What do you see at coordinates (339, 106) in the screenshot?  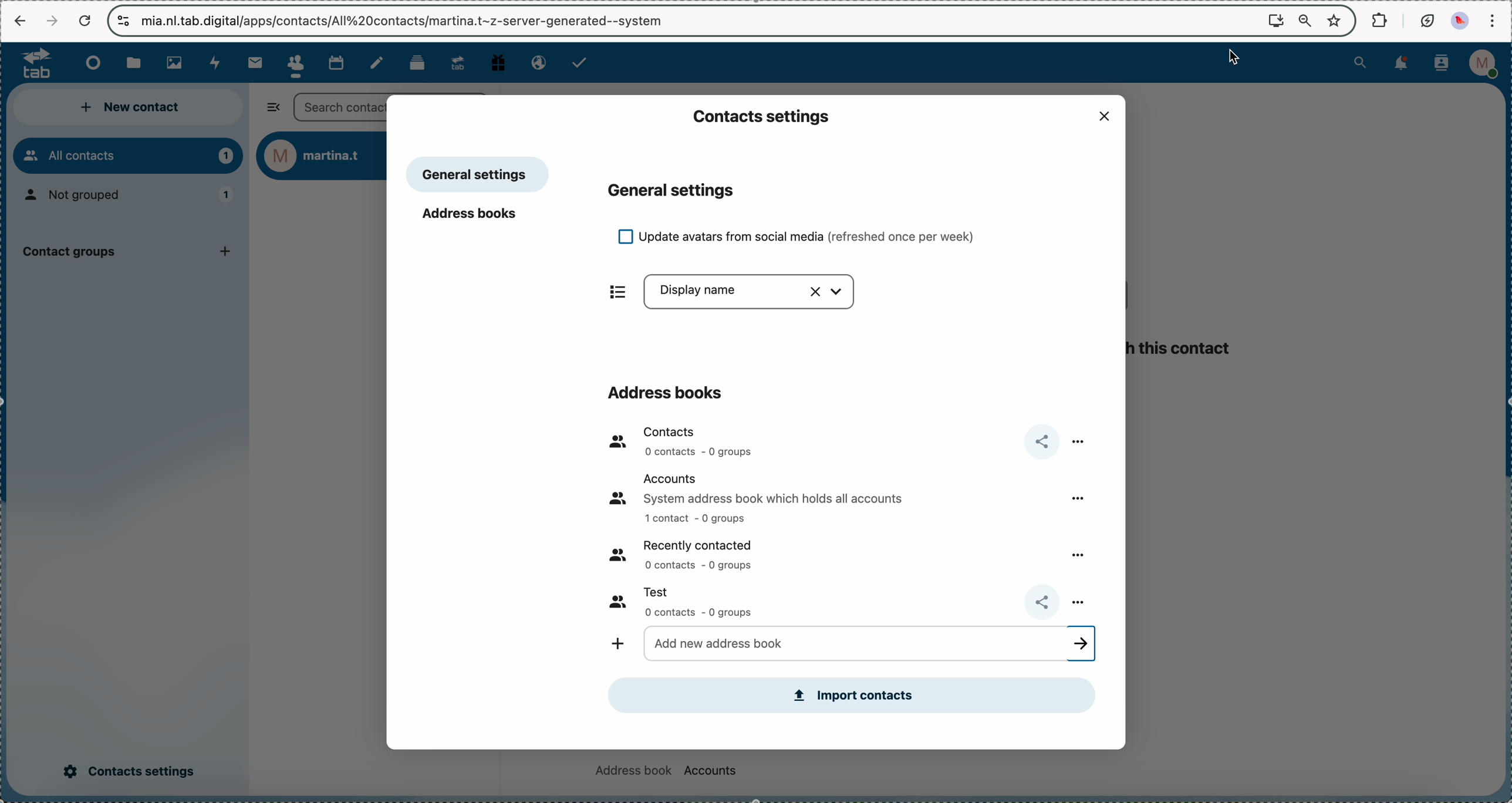 I see `search bar` at bounding box center [339, 106].